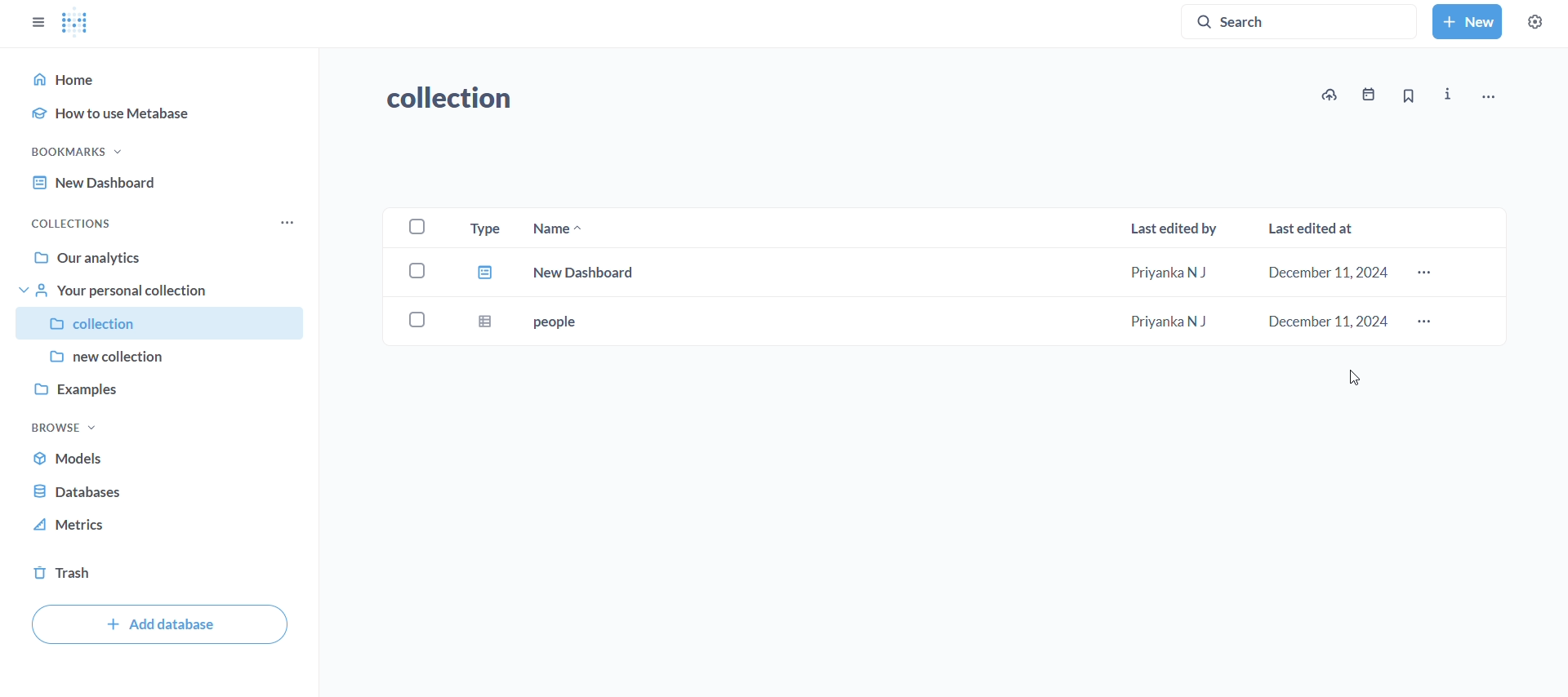  Describe the element at coordinates (1449, 95) in the screenshot. I see `more info` at that location.